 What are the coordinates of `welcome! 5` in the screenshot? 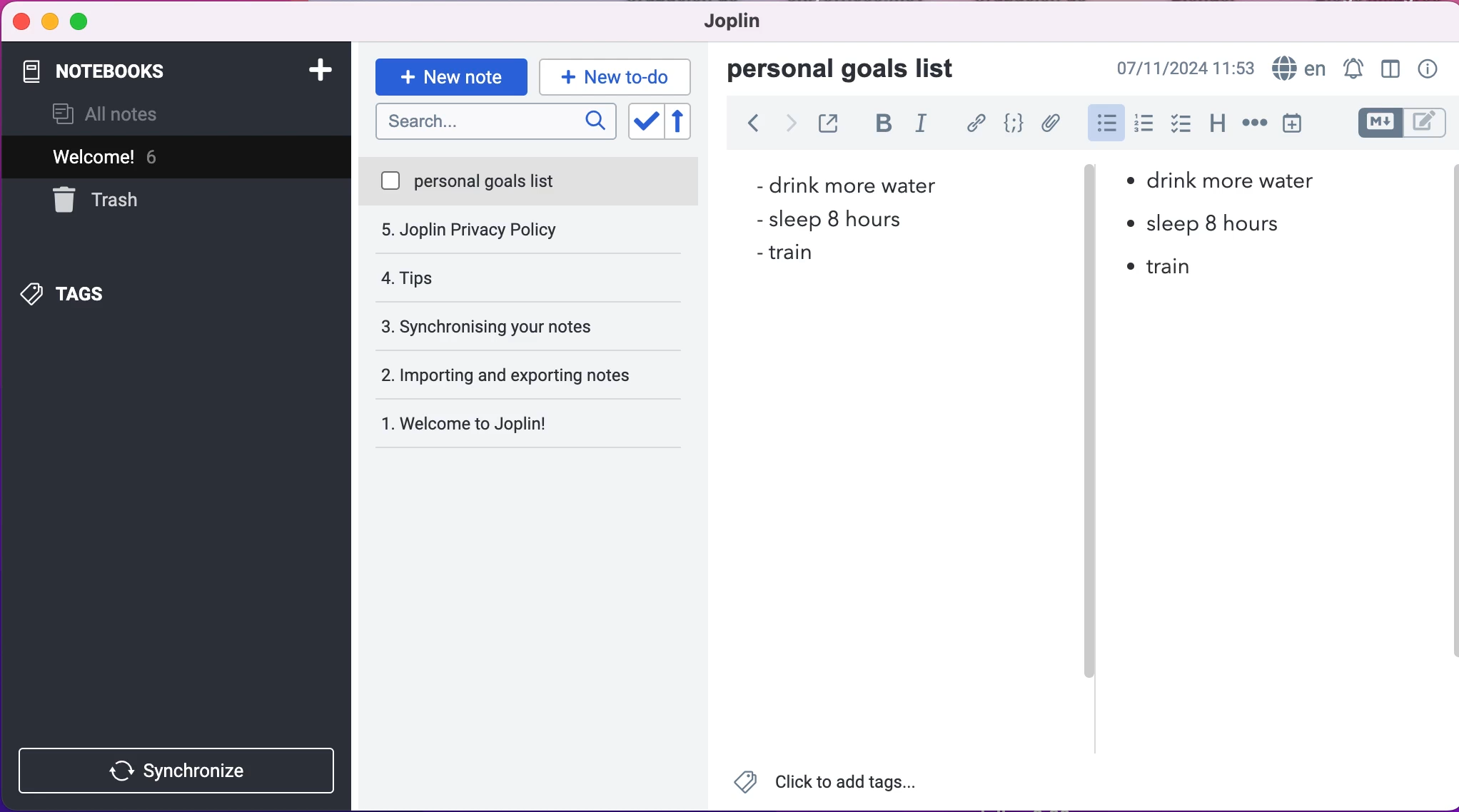 It's located at (158, 156).